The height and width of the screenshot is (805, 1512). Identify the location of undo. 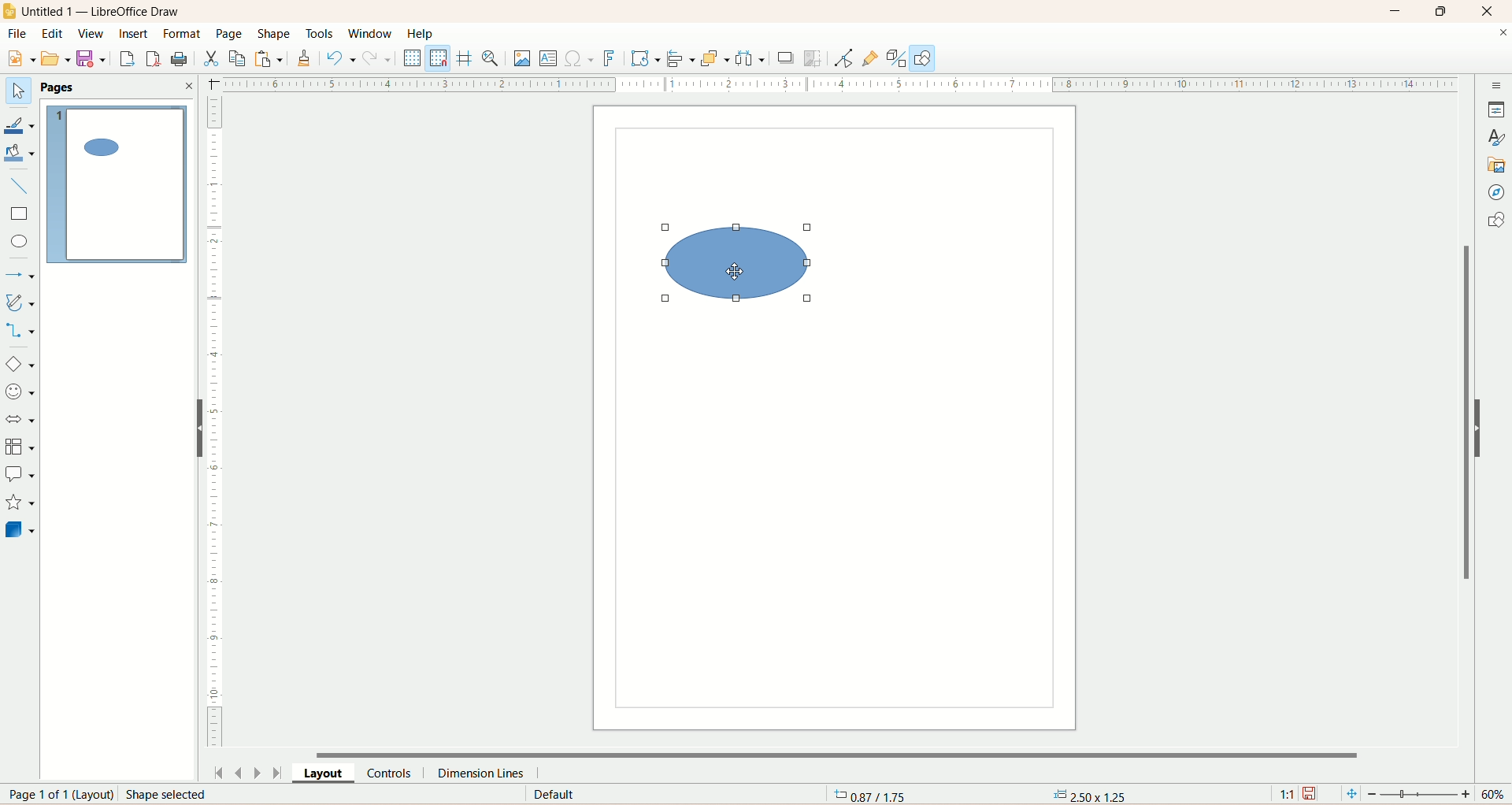
(341, 58).